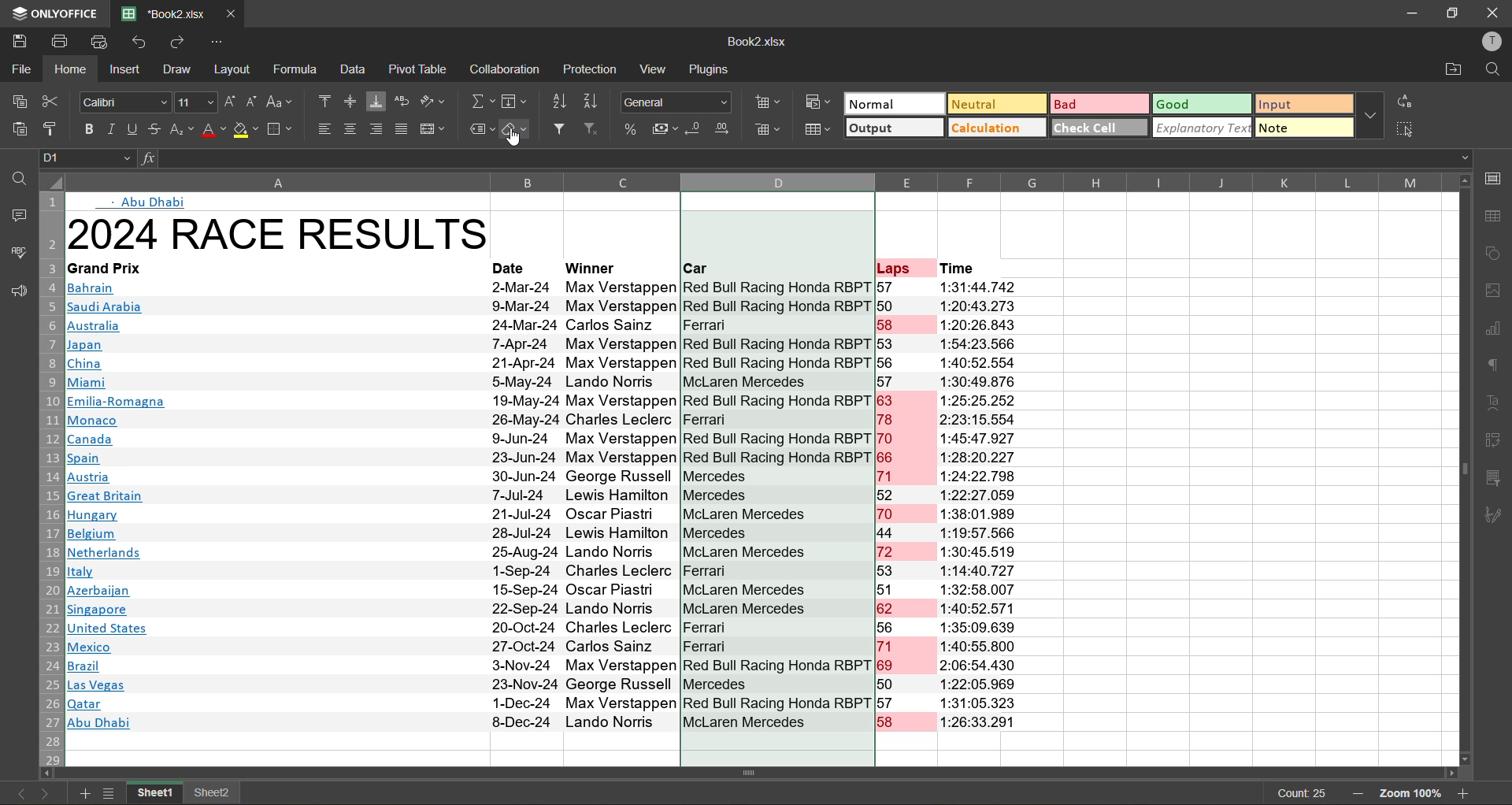  What do you see at coordinates (653, 69) in the screenshot?
I see `view` at bounding box center [653, 69].